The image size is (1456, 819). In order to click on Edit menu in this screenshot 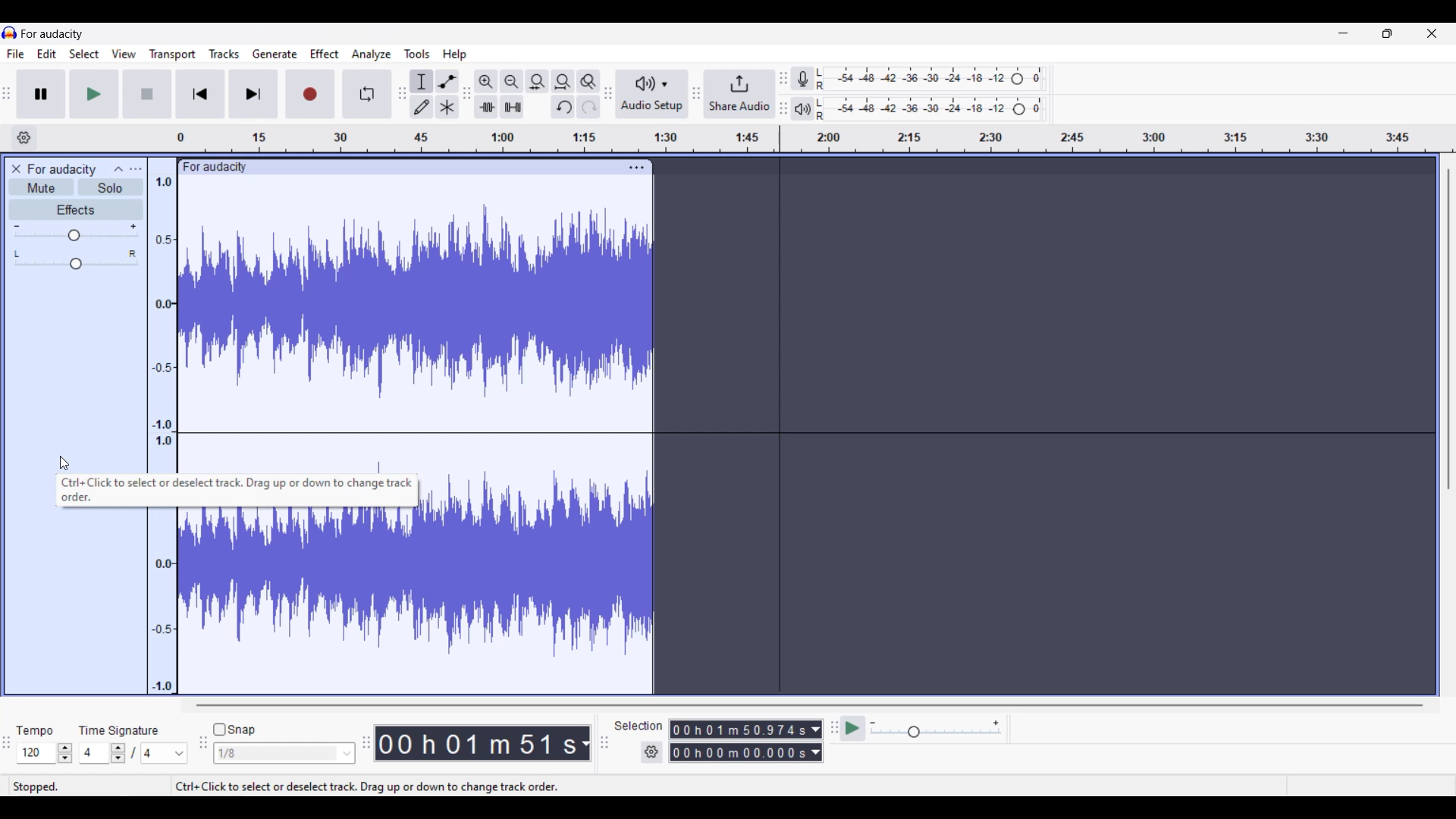, I will do `click(47, 54)`.